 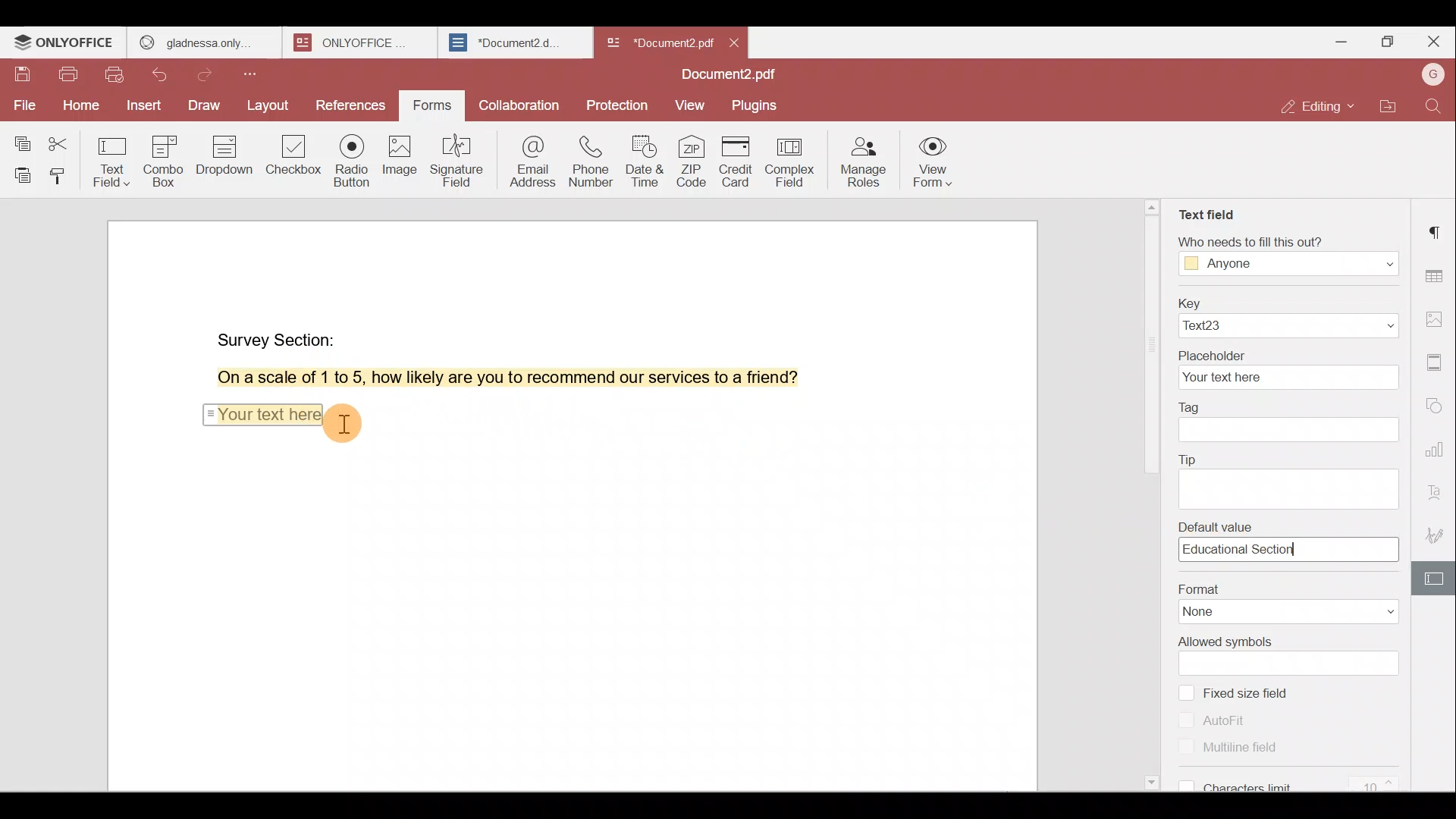 What do you see at coordinates (740, 162) in the screenshot?
I see `Credit card` at bounding box center [740, 162].